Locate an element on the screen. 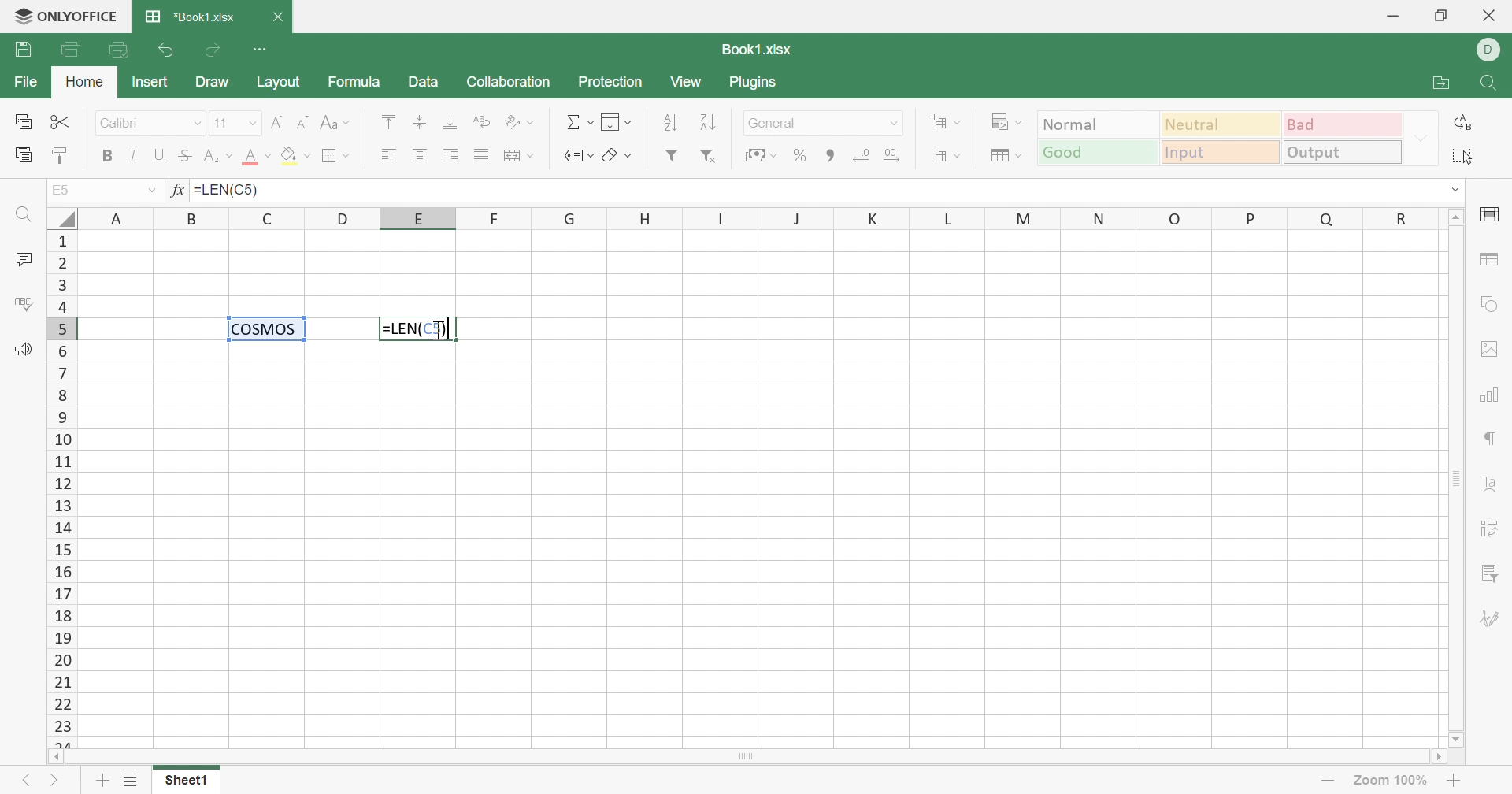 Image resolution: width=1512 pixels, height=794 pixels. Feedback & Support is located at coordinates (25, 351).